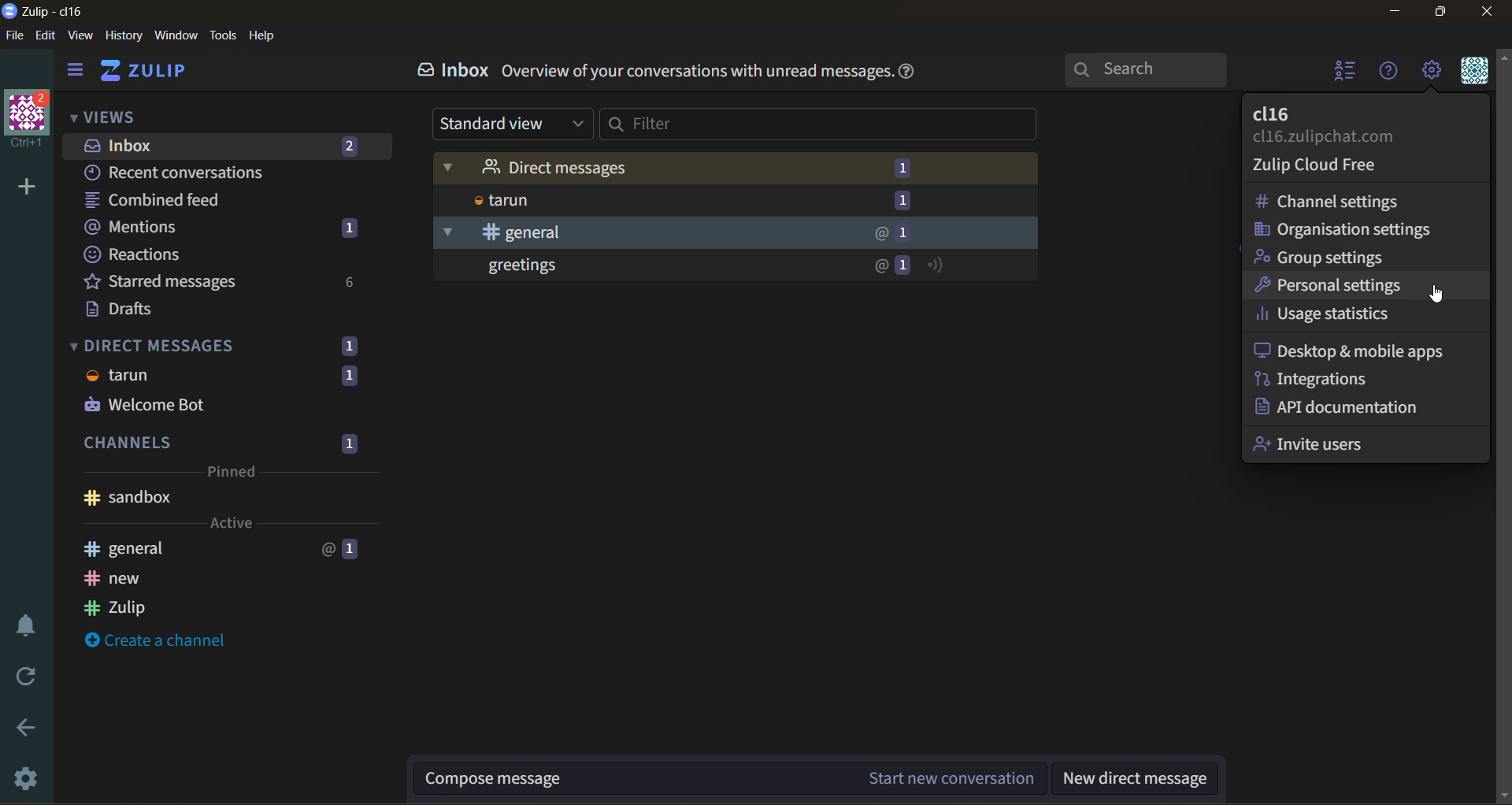 Image resolution: width=1512 pixels, height=805 pixels. What do you see at coordinates (735, 198) in the screenshot?
I see `tarun` at bounding box center [735, 198].